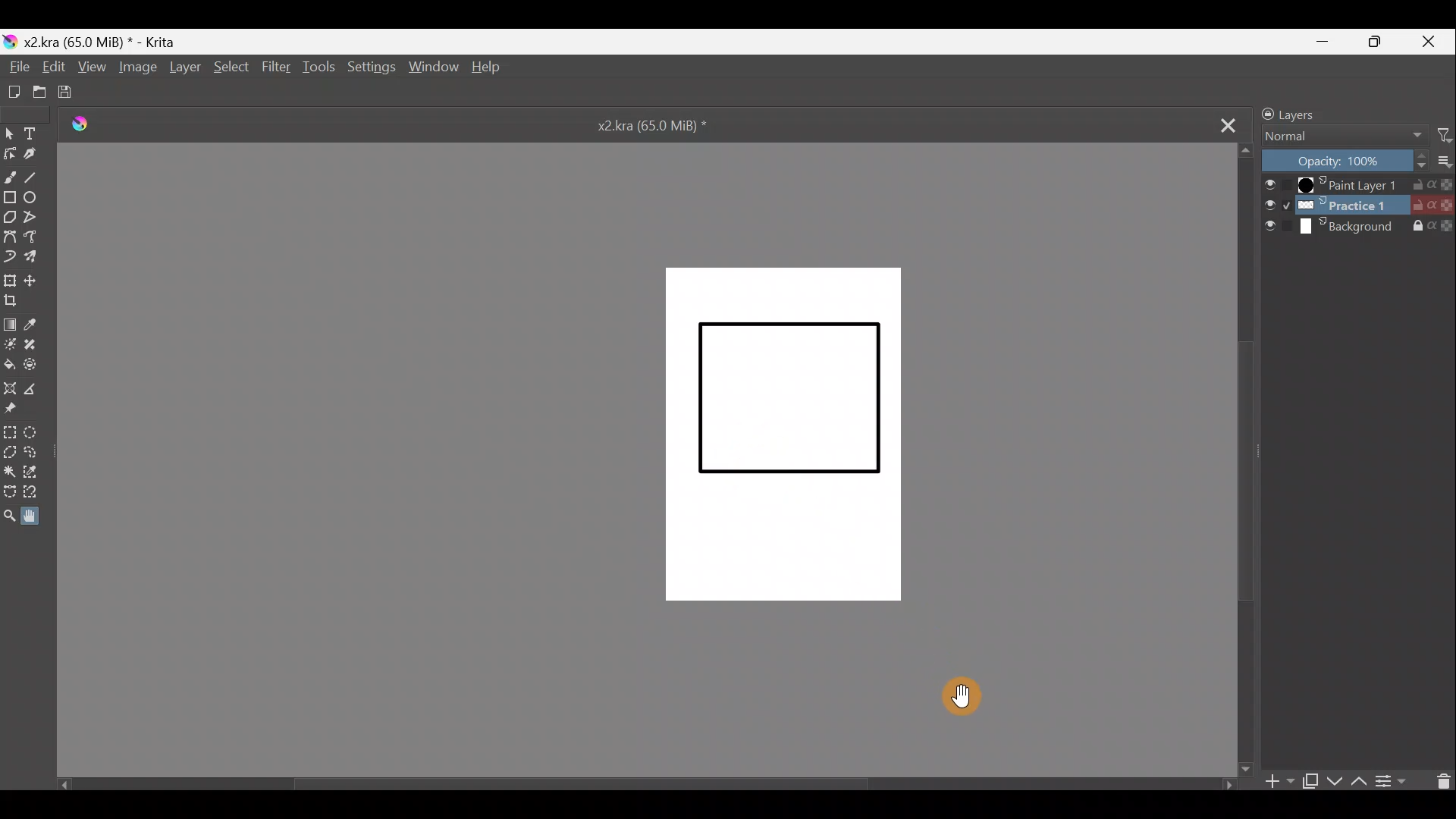  I want to click on Scroll bar, so click(644, 787).